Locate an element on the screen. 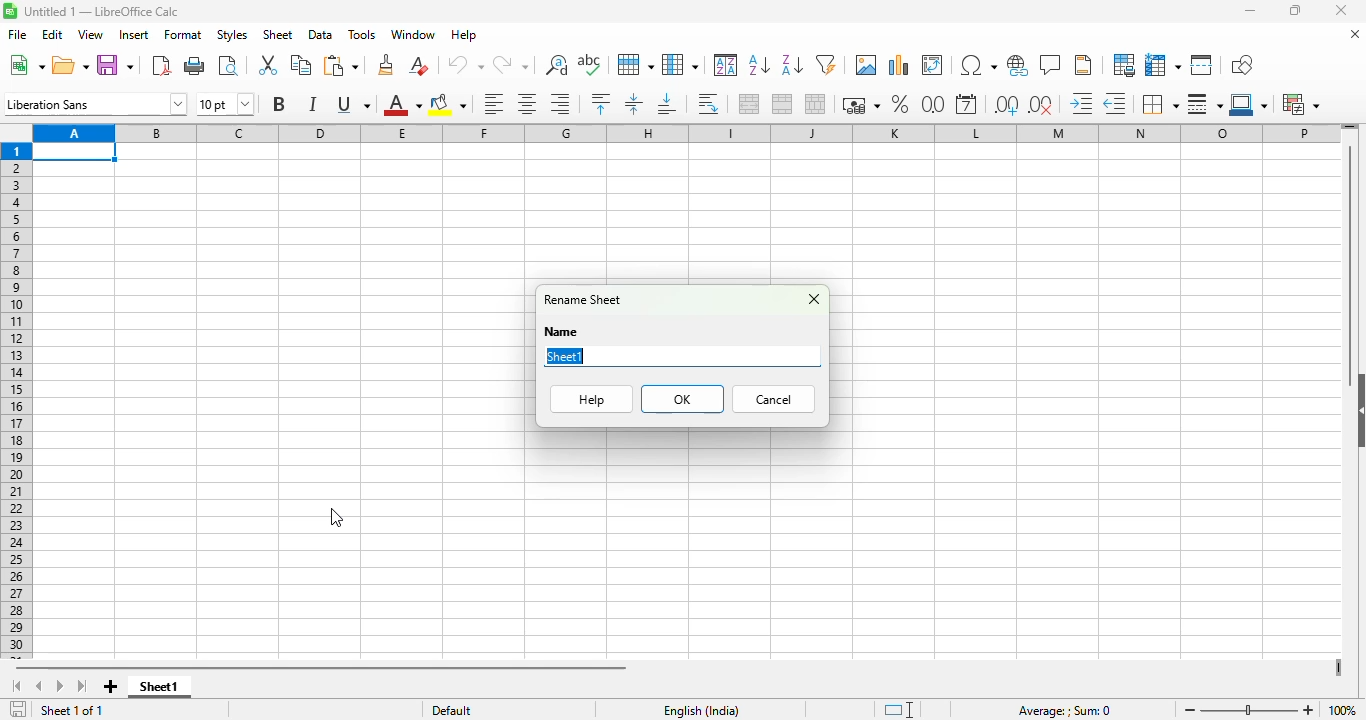  define print area is located at coordinates (1123, 64).